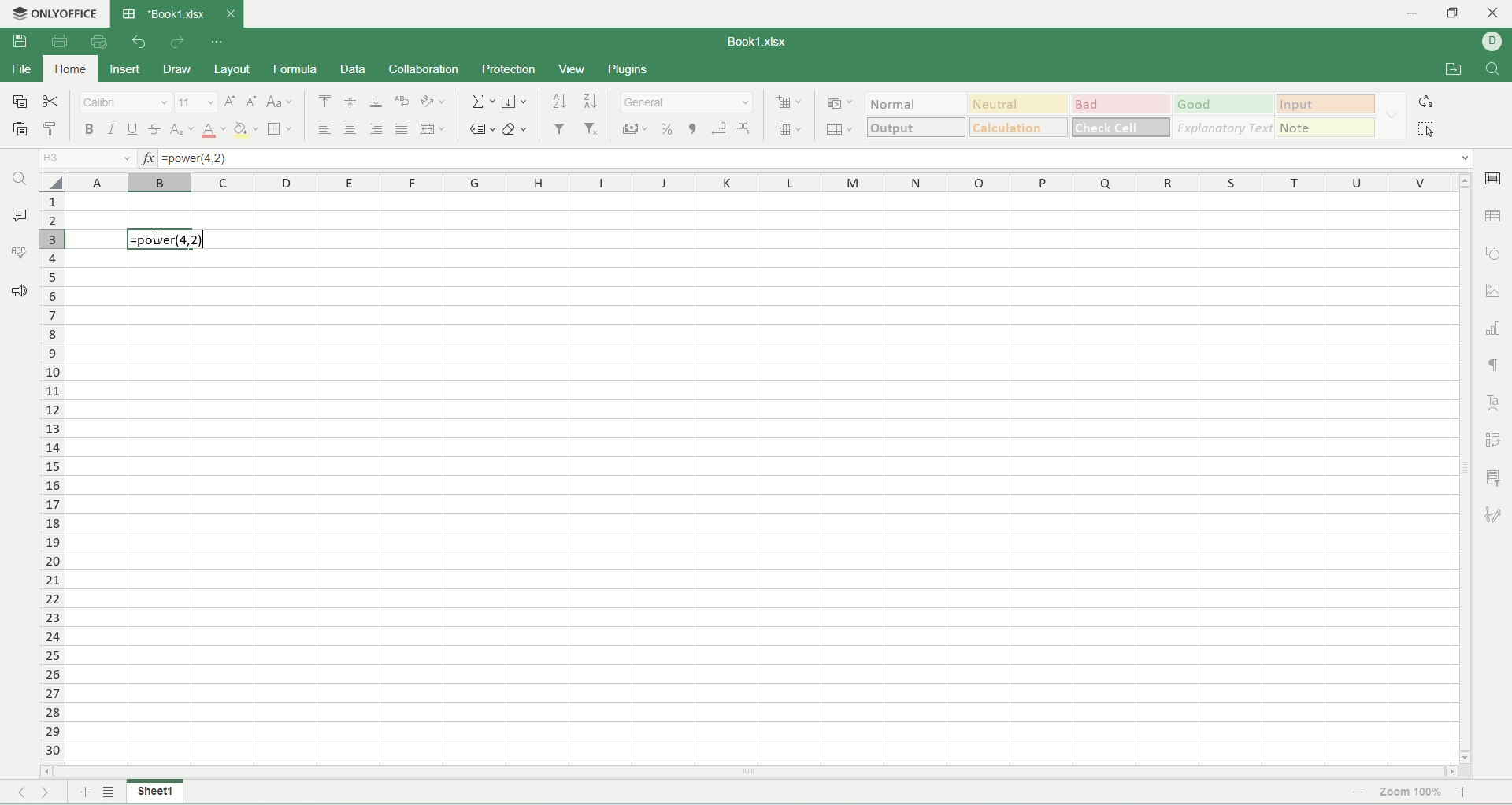 This screenshot has width=1512, height=805. Describe the element at coordinates (68, 68) in the screenshot. I see `home` at that location.